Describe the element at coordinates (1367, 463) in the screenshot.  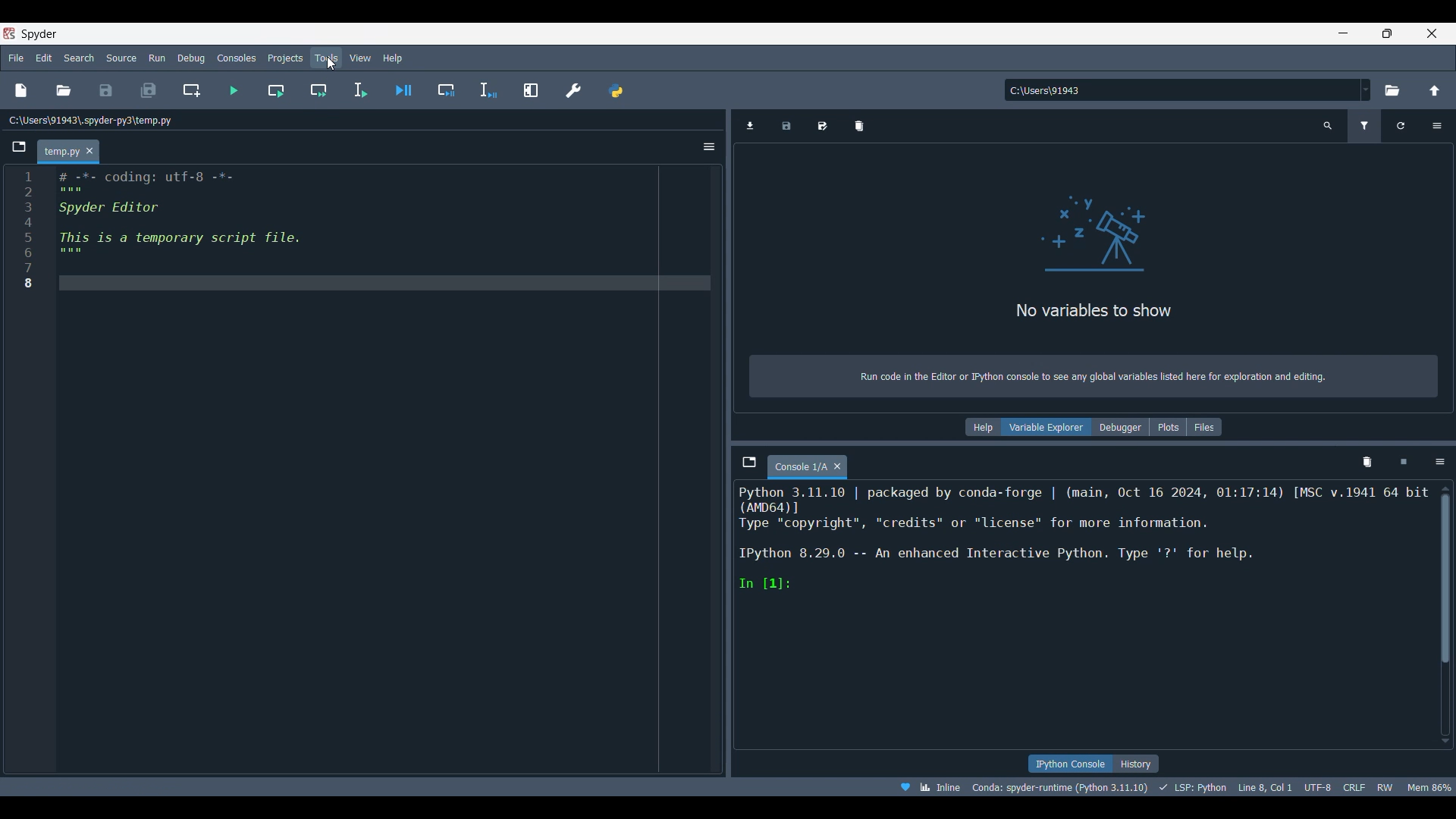
I see `Remove all variables from namespace` at that location.